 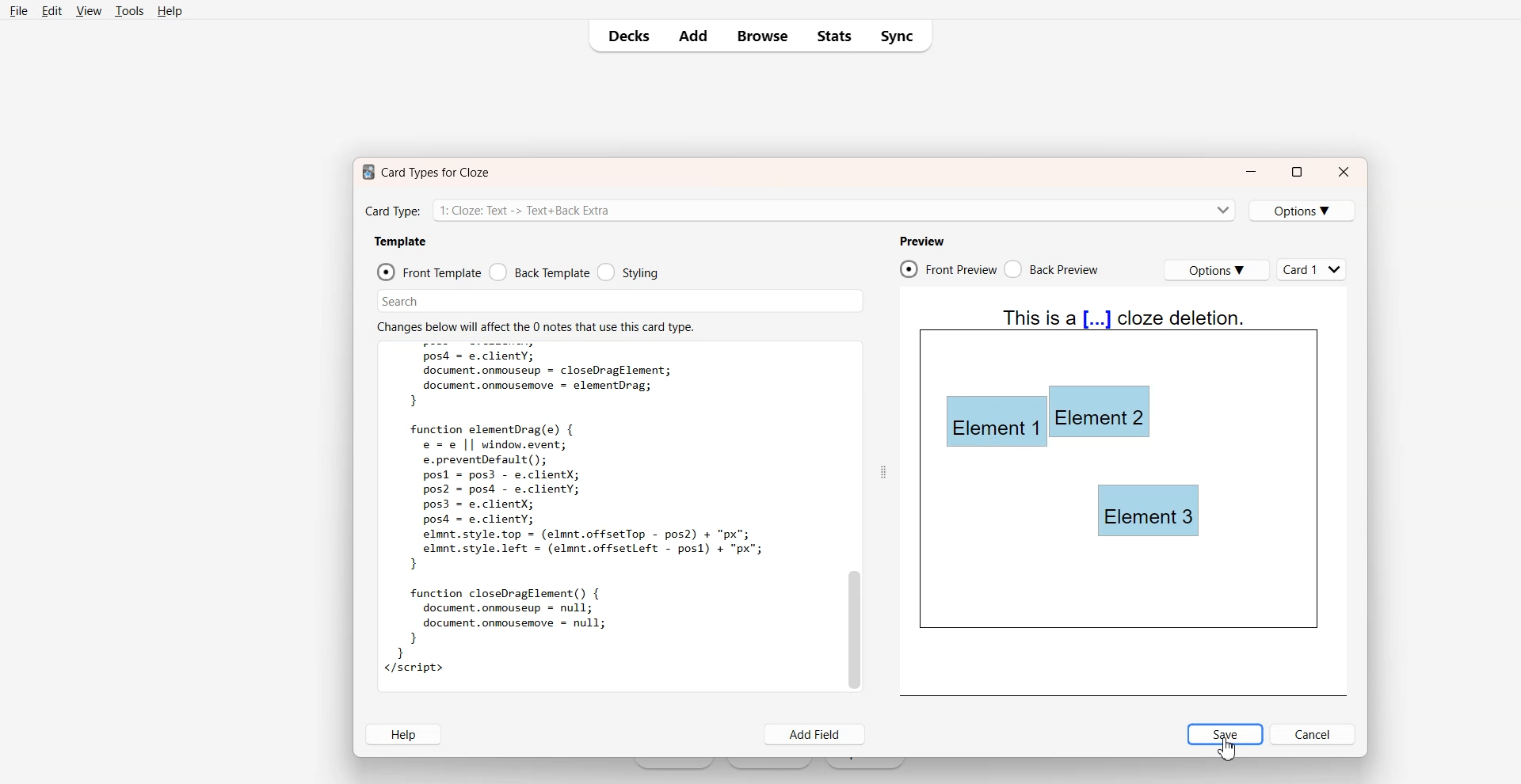 What do you see at coordinates (88, 10) in the screenshot?
I see `View` at bounding box center [88, 10].